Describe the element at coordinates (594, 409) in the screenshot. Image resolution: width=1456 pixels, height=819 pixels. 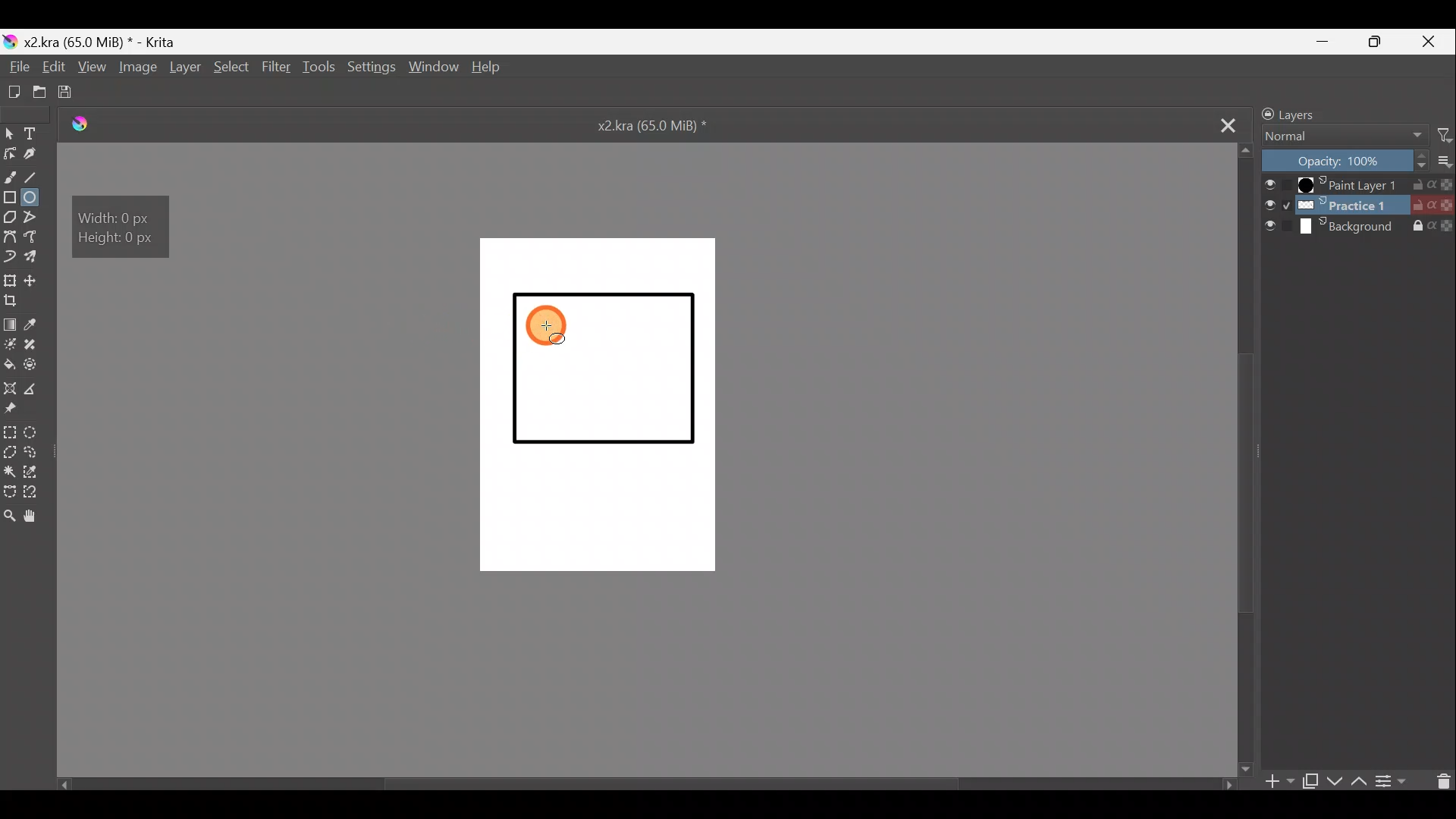
I see `Canvas` at that location.